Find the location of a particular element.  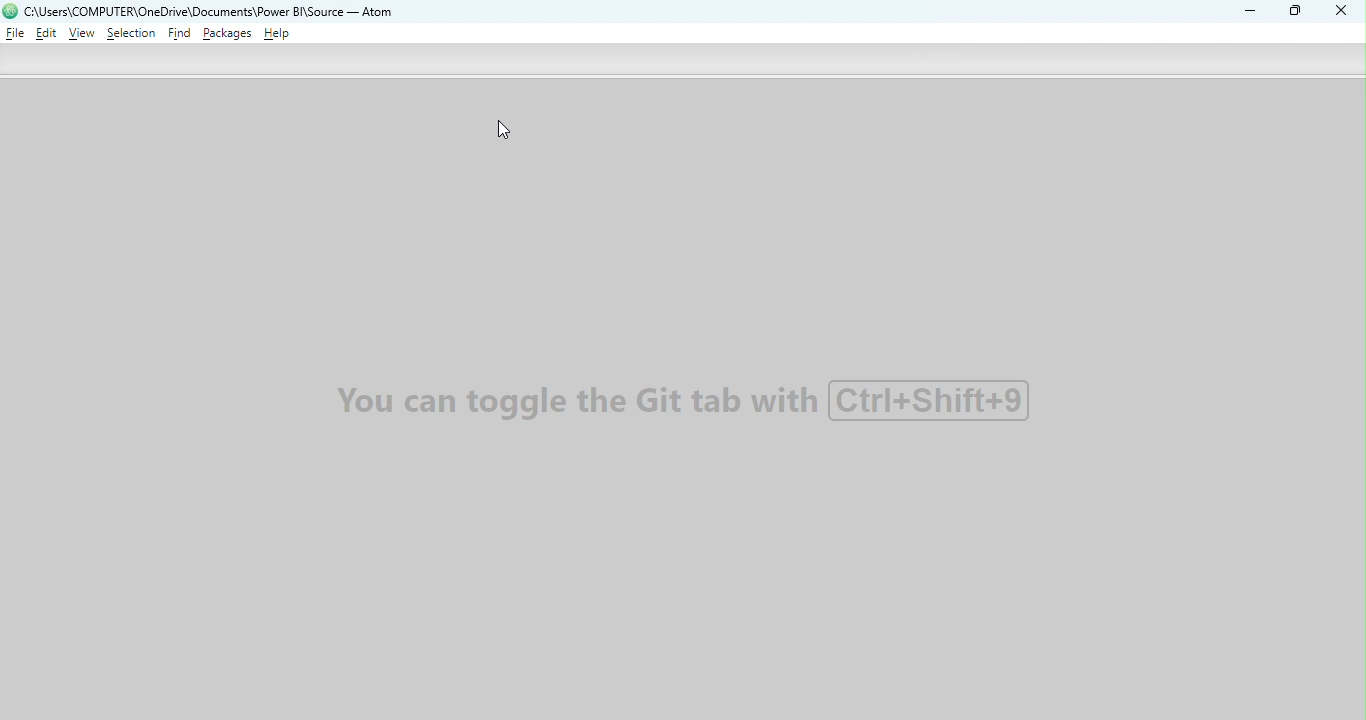

File name is located at coordinates (215, 12).